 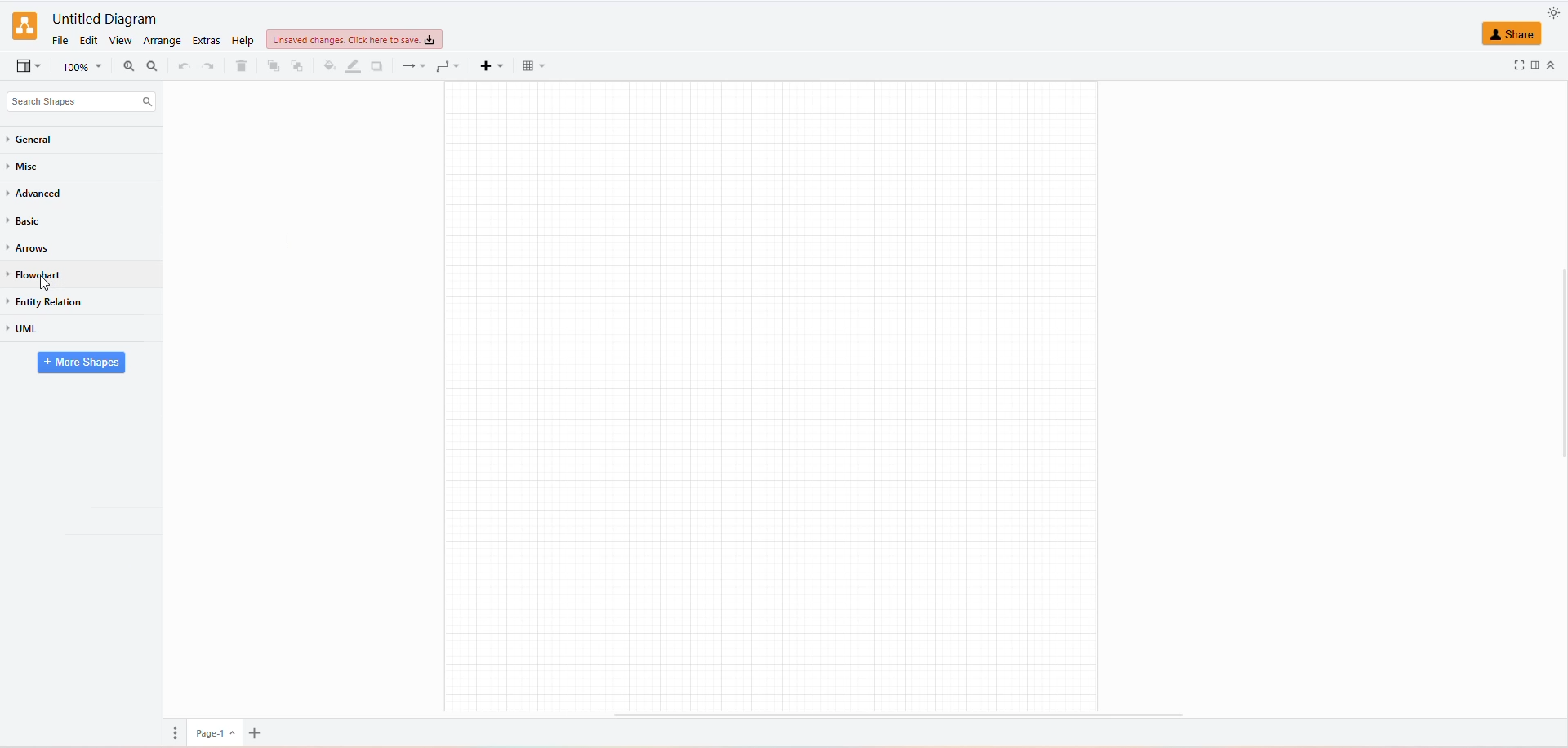 What do you see at coordinates (38, 277) in the screenshot?
I see `FLOWCHART` at bounding box center [38, 277].